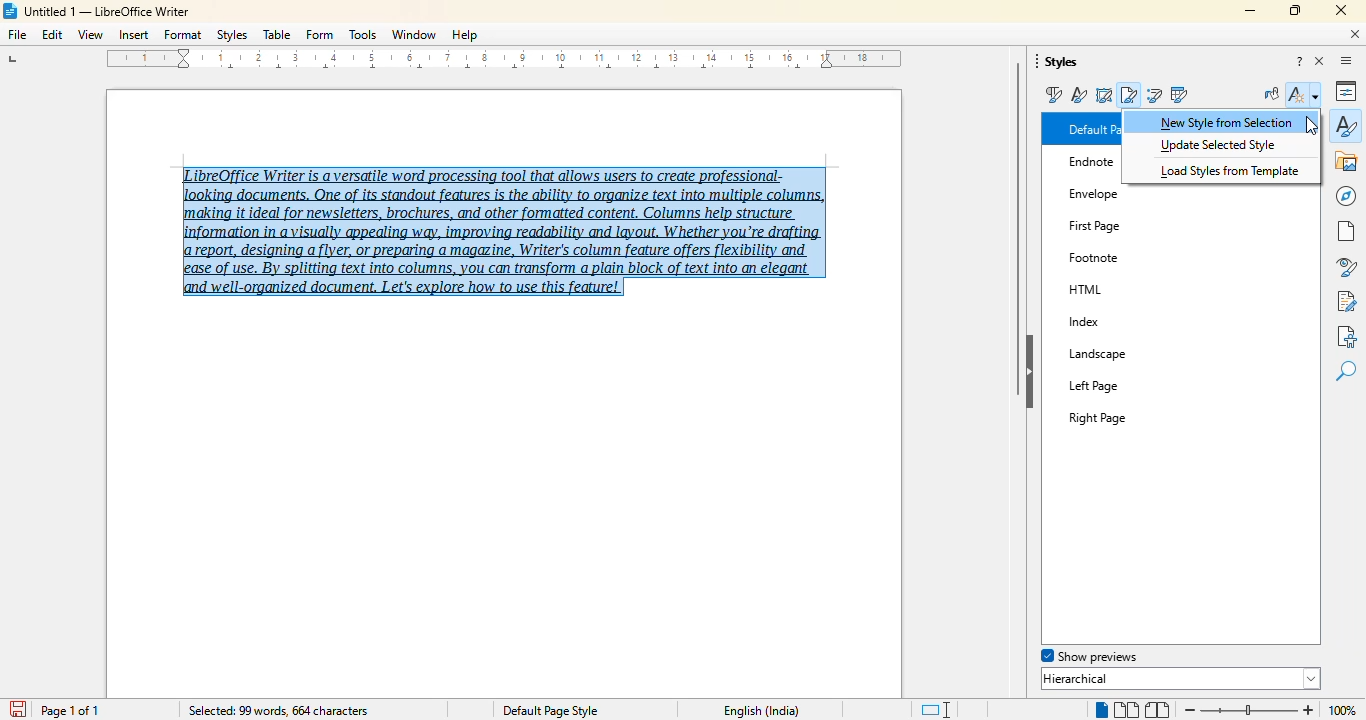 This screenshot has width=1366, height=720. I want to click on spotlight, so click(1174, 656).